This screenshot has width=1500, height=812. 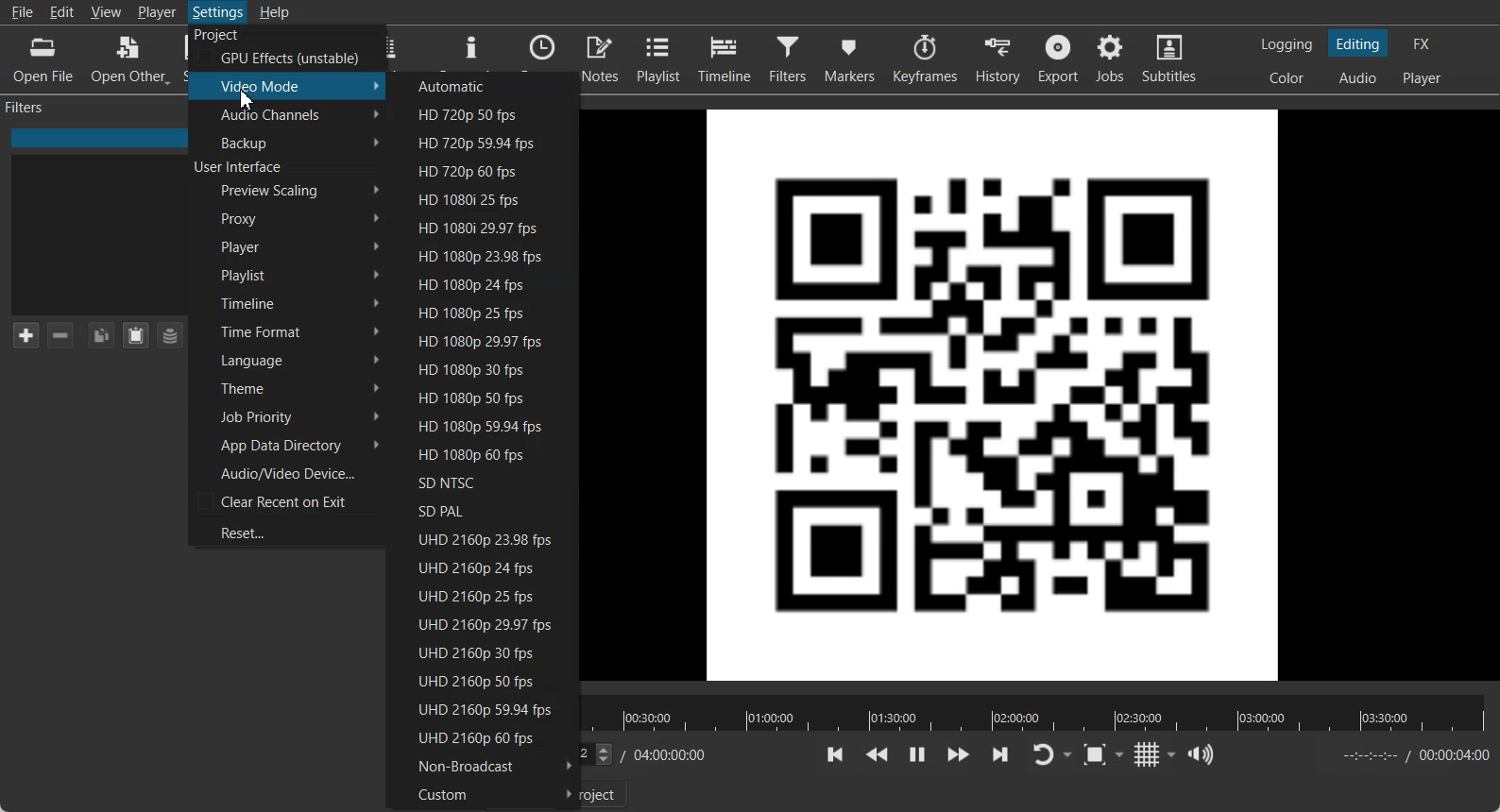 I want to click on HD 1080p 60 fps, so click(x=473, y=454).